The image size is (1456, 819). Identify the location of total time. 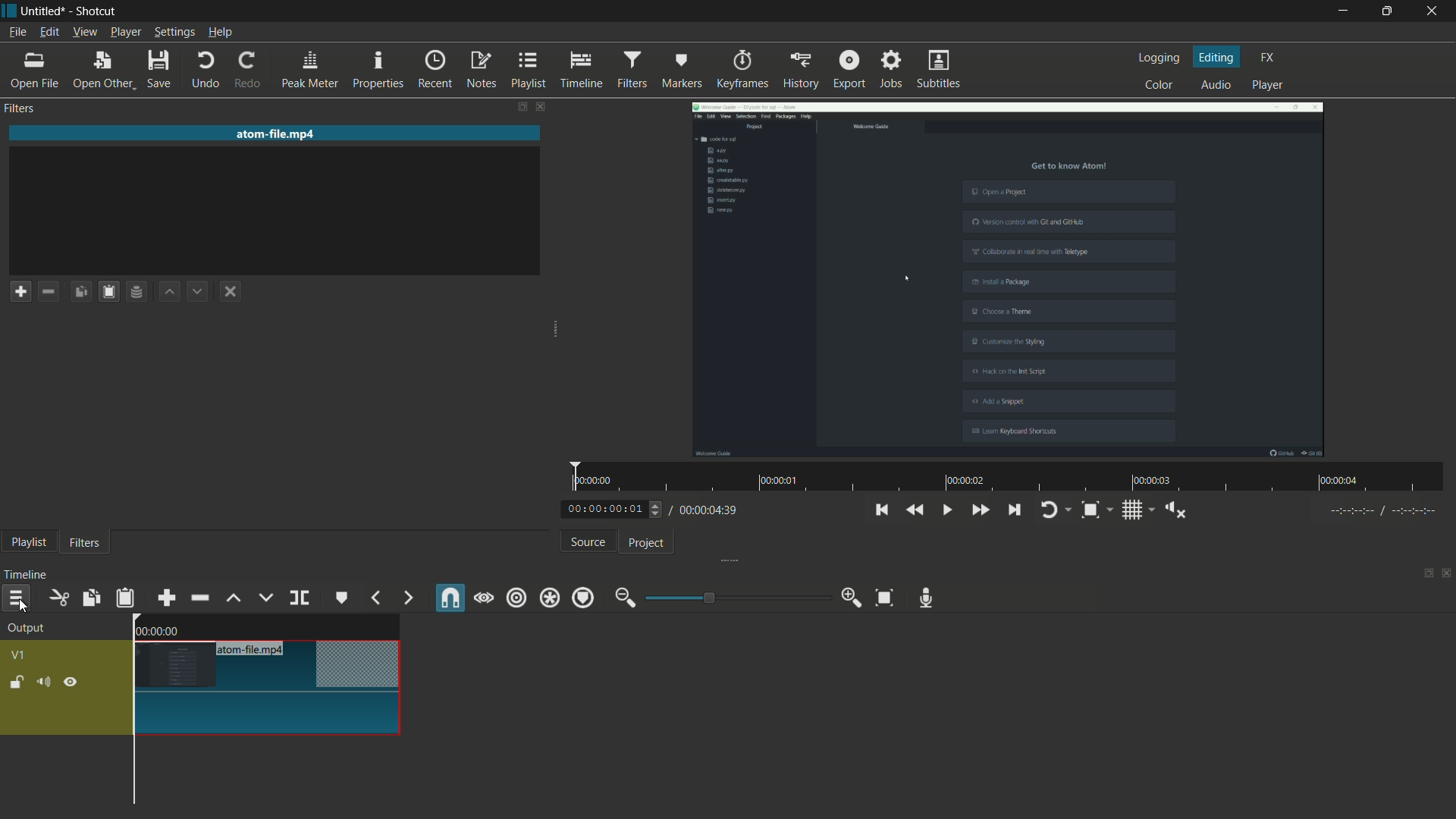
(708, 510).